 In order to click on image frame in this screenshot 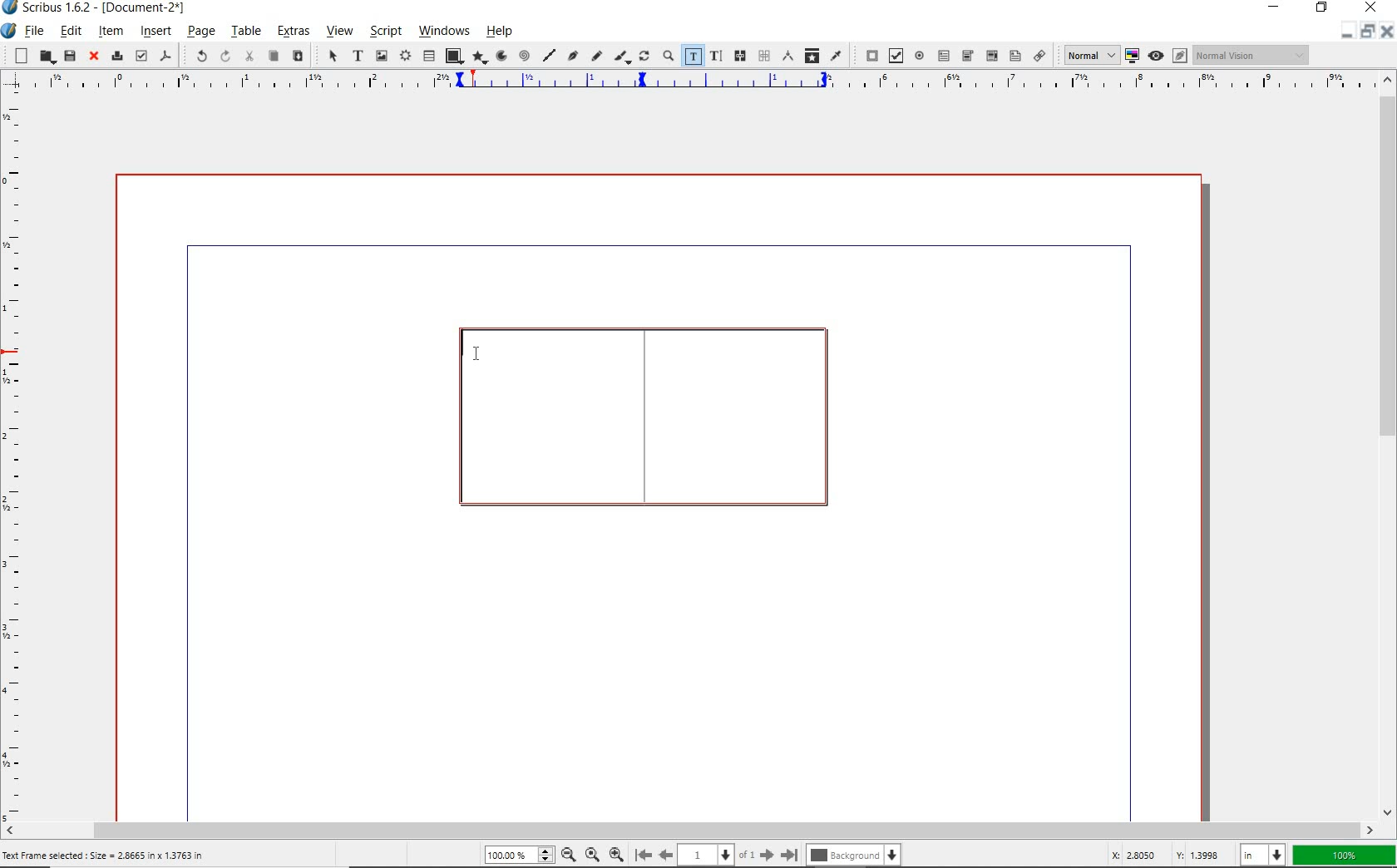, I will do `click(381, 56)`.